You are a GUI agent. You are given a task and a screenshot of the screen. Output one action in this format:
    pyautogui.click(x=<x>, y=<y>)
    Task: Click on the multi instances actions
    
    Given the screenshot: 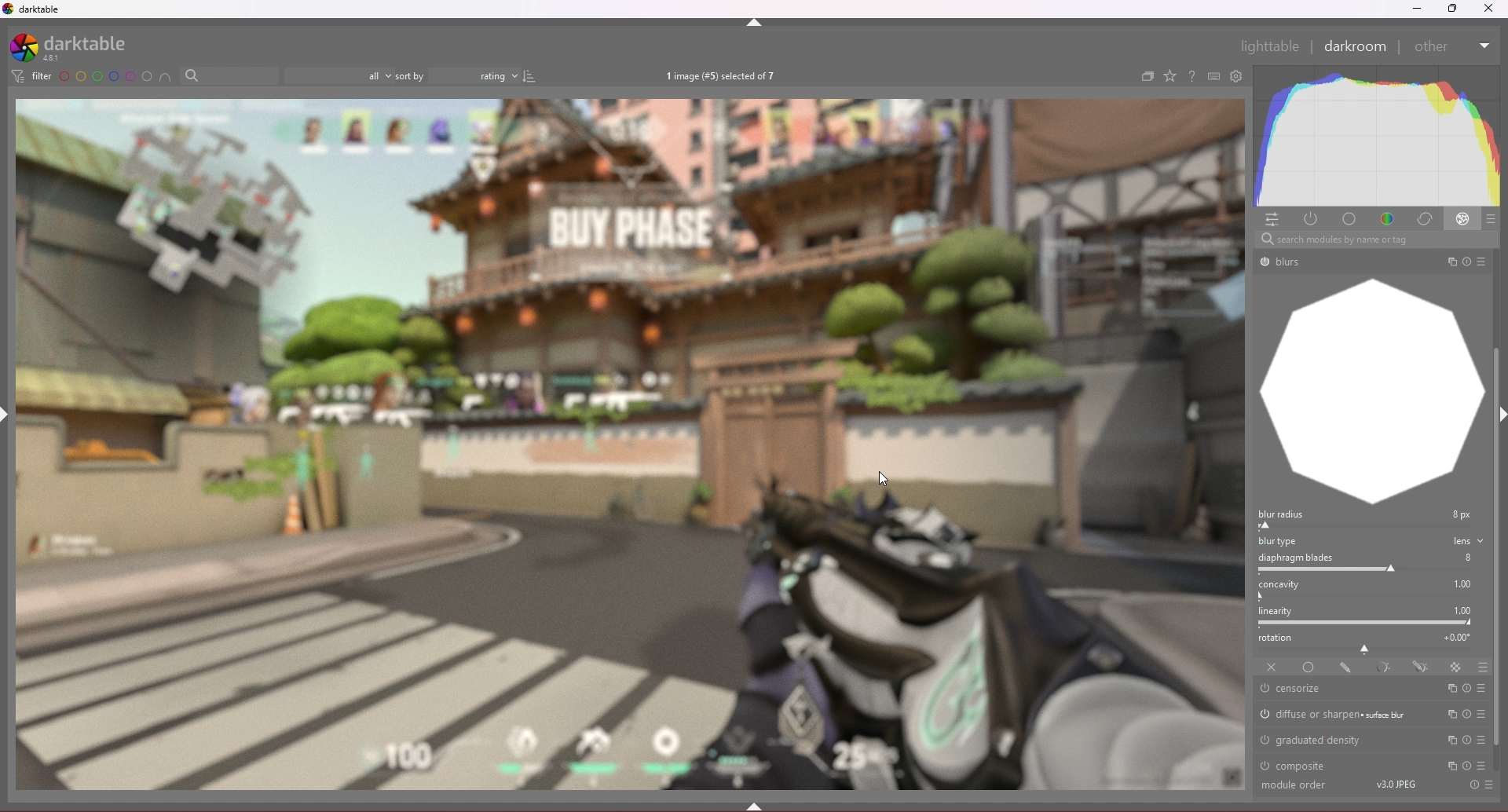 What is the action you would take?
    pyautogui.click(x=1449, y=689)
    